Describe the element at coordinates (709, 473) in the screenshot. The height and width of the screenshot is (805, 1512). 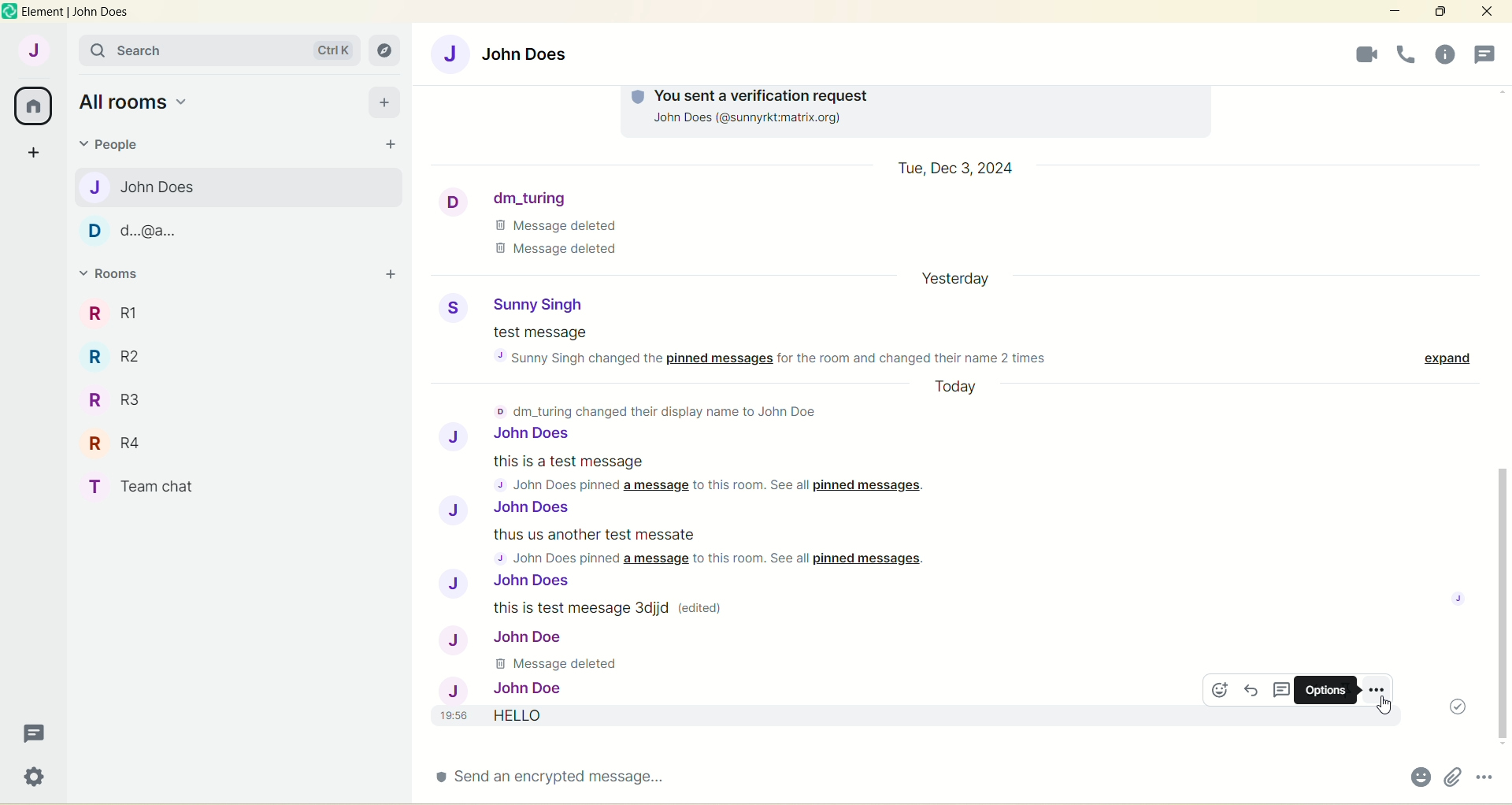
I see `this is a test message
4 John Does pinned a message to this room. See all pinned messages.` at that location.